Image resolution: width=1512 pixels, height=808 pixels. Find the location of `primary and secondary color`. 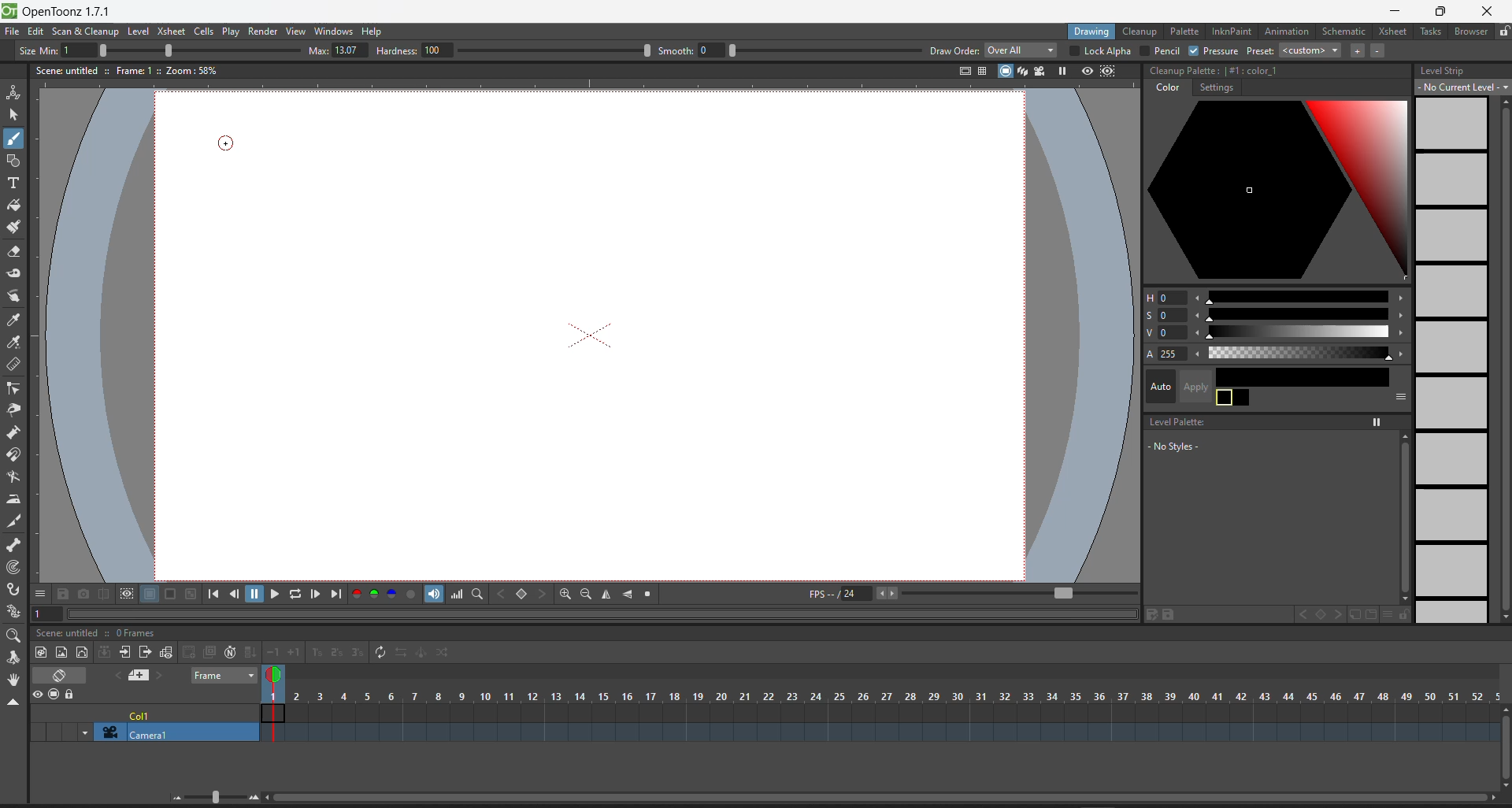

primary and secondary color is located at coordinates (1233, 398).